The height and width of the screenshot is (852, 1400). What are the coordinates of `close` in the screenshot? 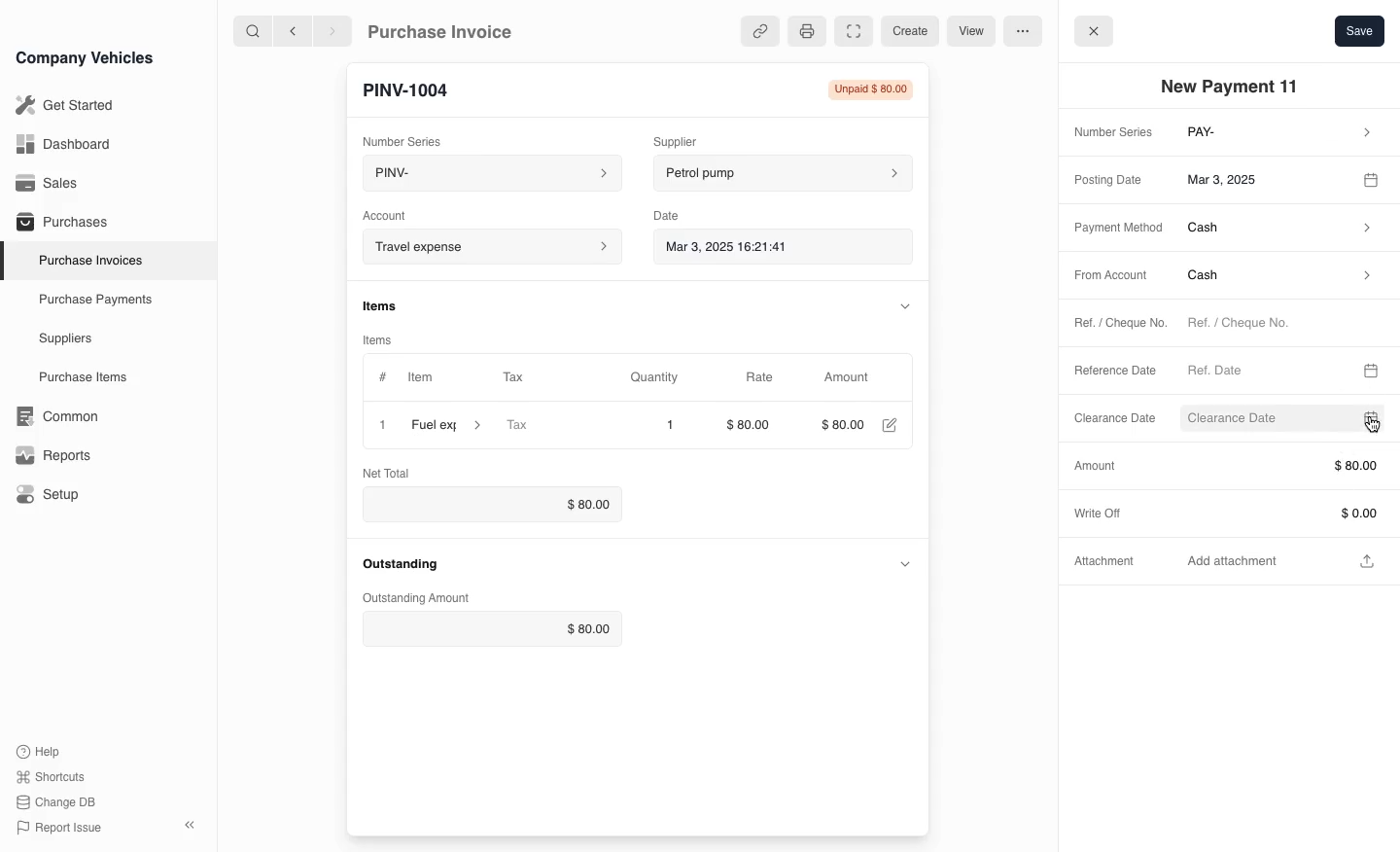 It's located at (1094, 29).